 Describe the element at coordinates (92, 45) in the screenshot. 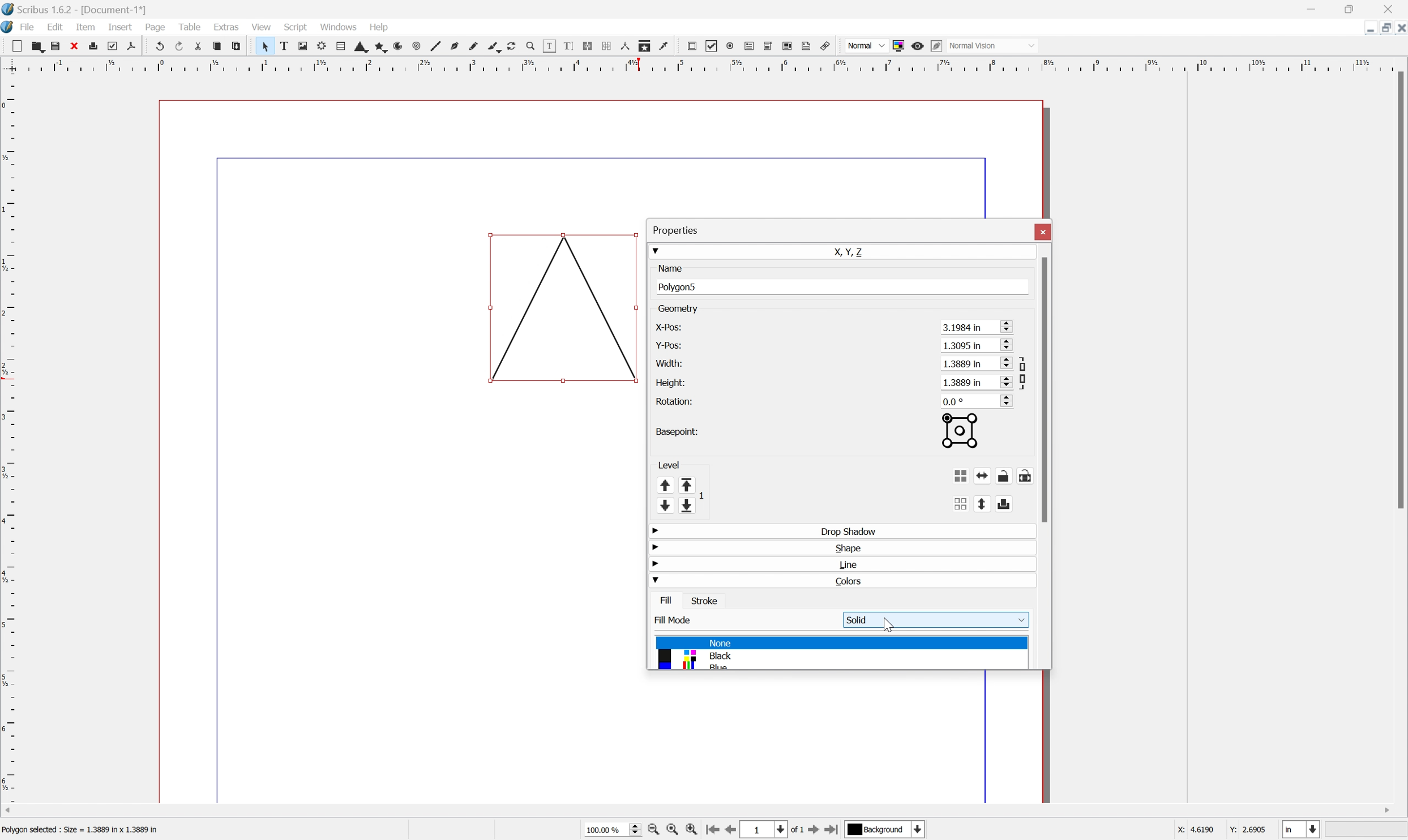

I see `Print` at that location.